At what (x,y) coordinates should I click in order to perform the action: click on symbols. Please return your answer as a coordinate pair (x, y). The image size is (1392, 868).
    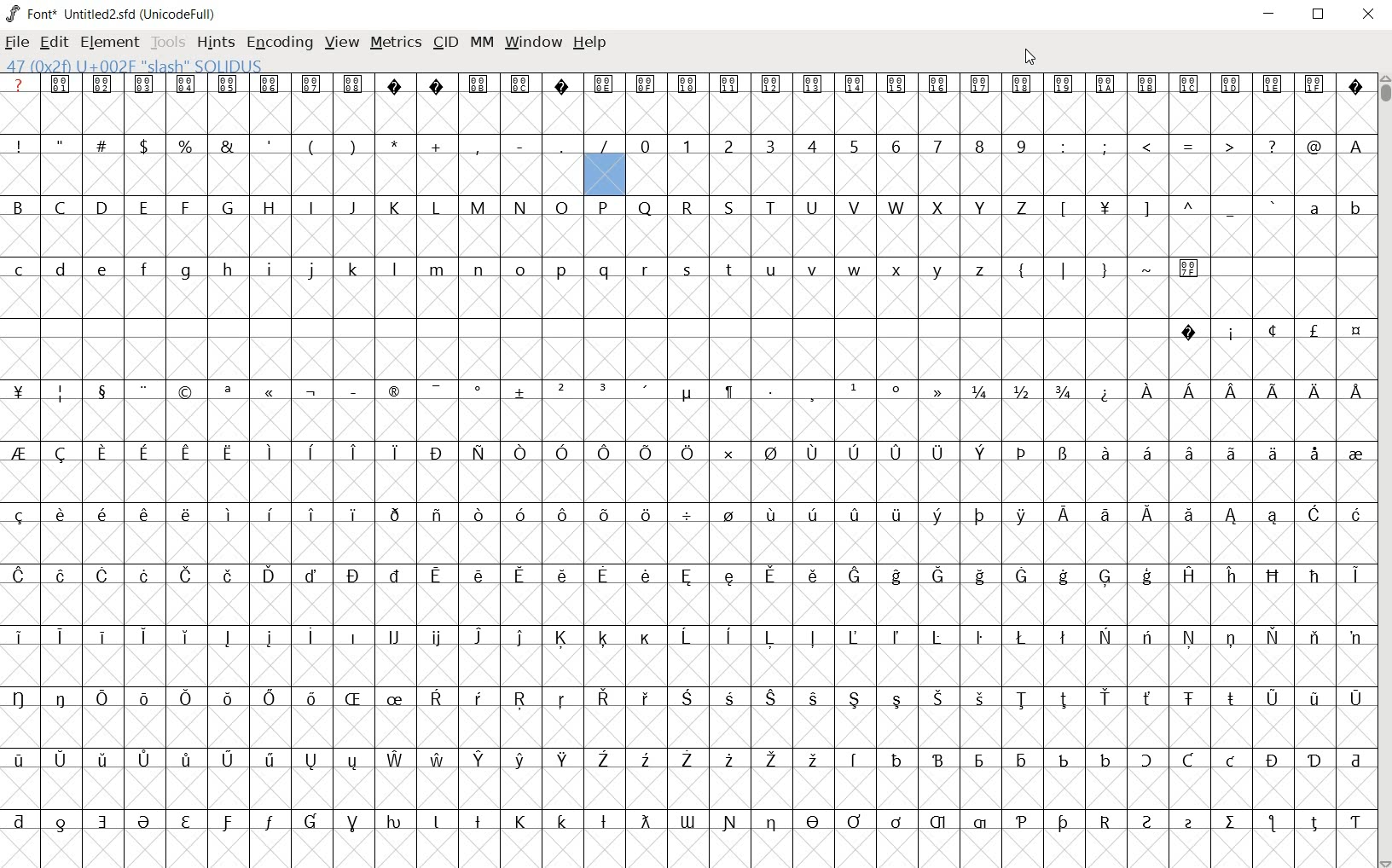
    Looking at the image, I should click on (691, 390).